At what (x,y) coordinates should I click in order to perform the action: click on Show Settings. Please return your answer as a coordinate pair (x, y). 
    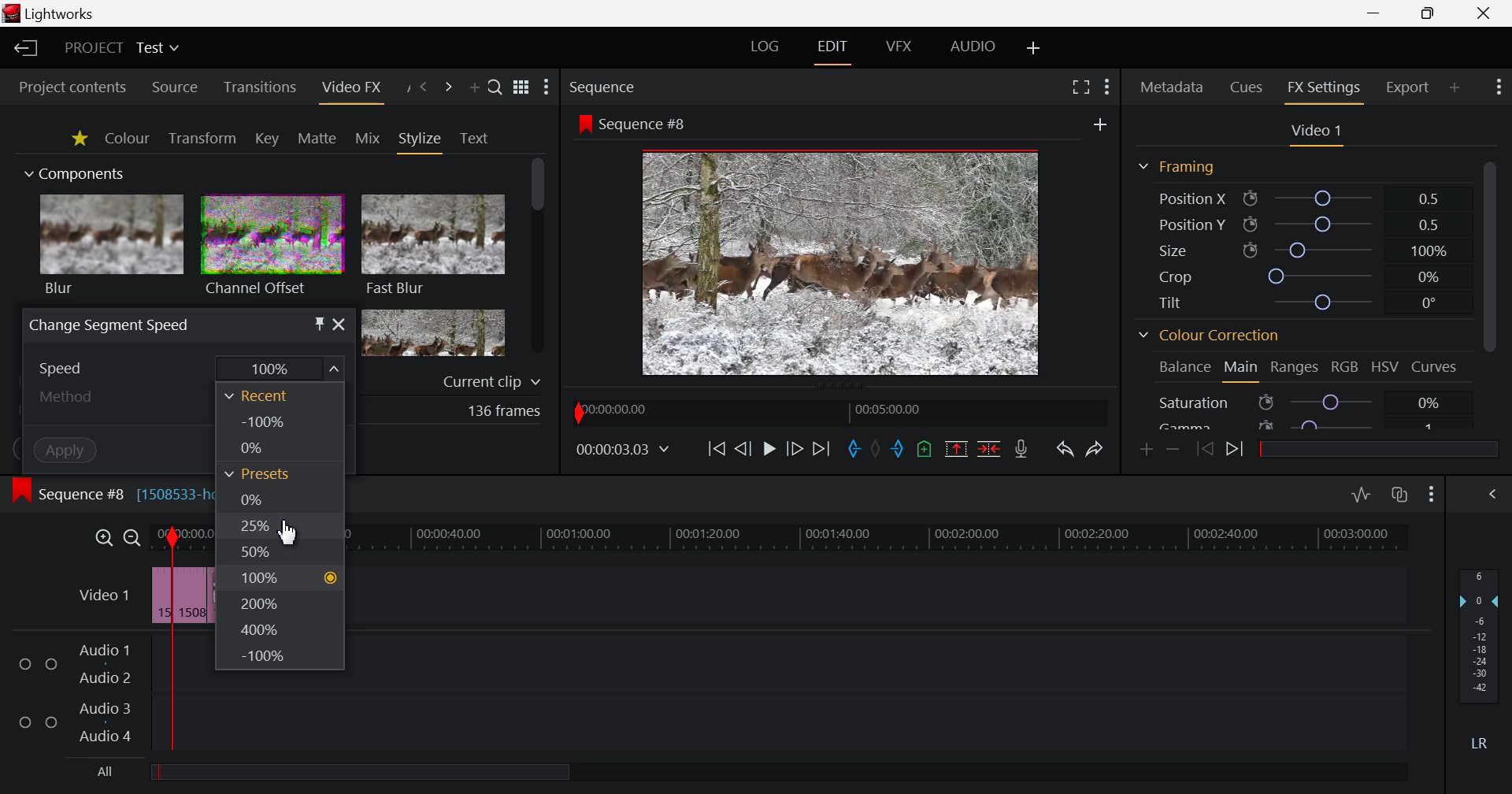
    Looking at the image, I should click on (1107, 90).